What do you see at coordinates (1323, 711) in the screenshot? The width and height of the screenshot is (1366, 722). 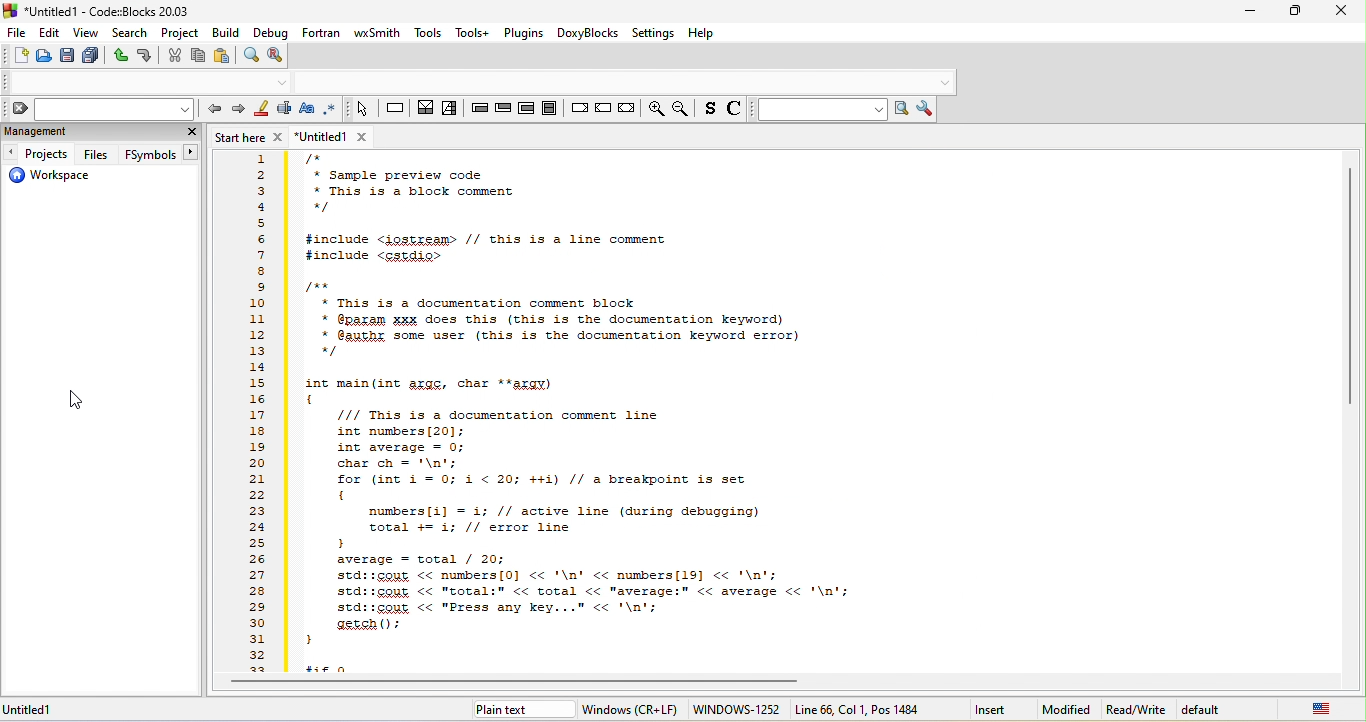 I see `united state` at bounding box center [1323, 711].